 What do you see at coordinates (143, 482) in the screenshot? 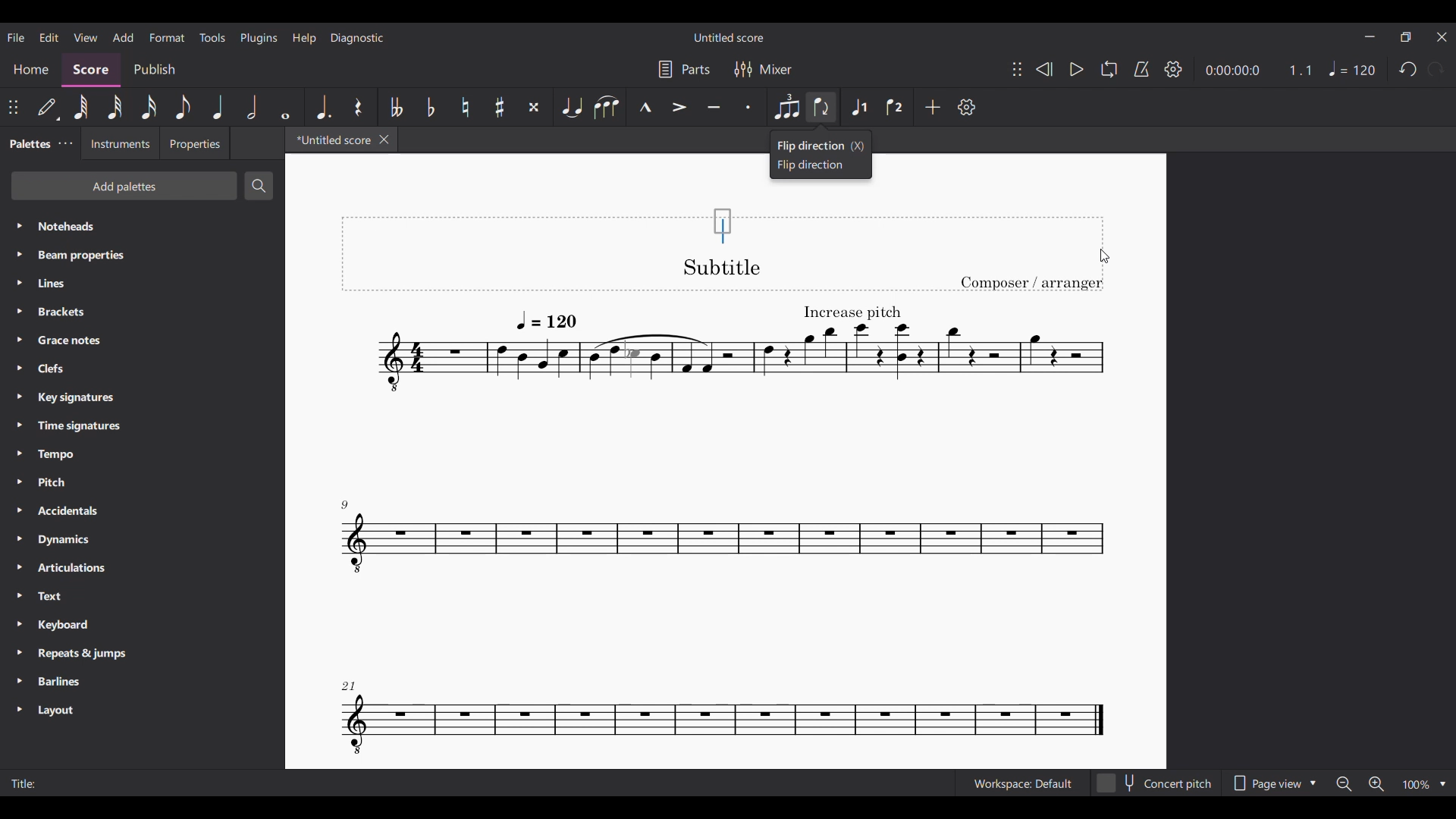
I see `Pitch` at bounding box center [143, 482].